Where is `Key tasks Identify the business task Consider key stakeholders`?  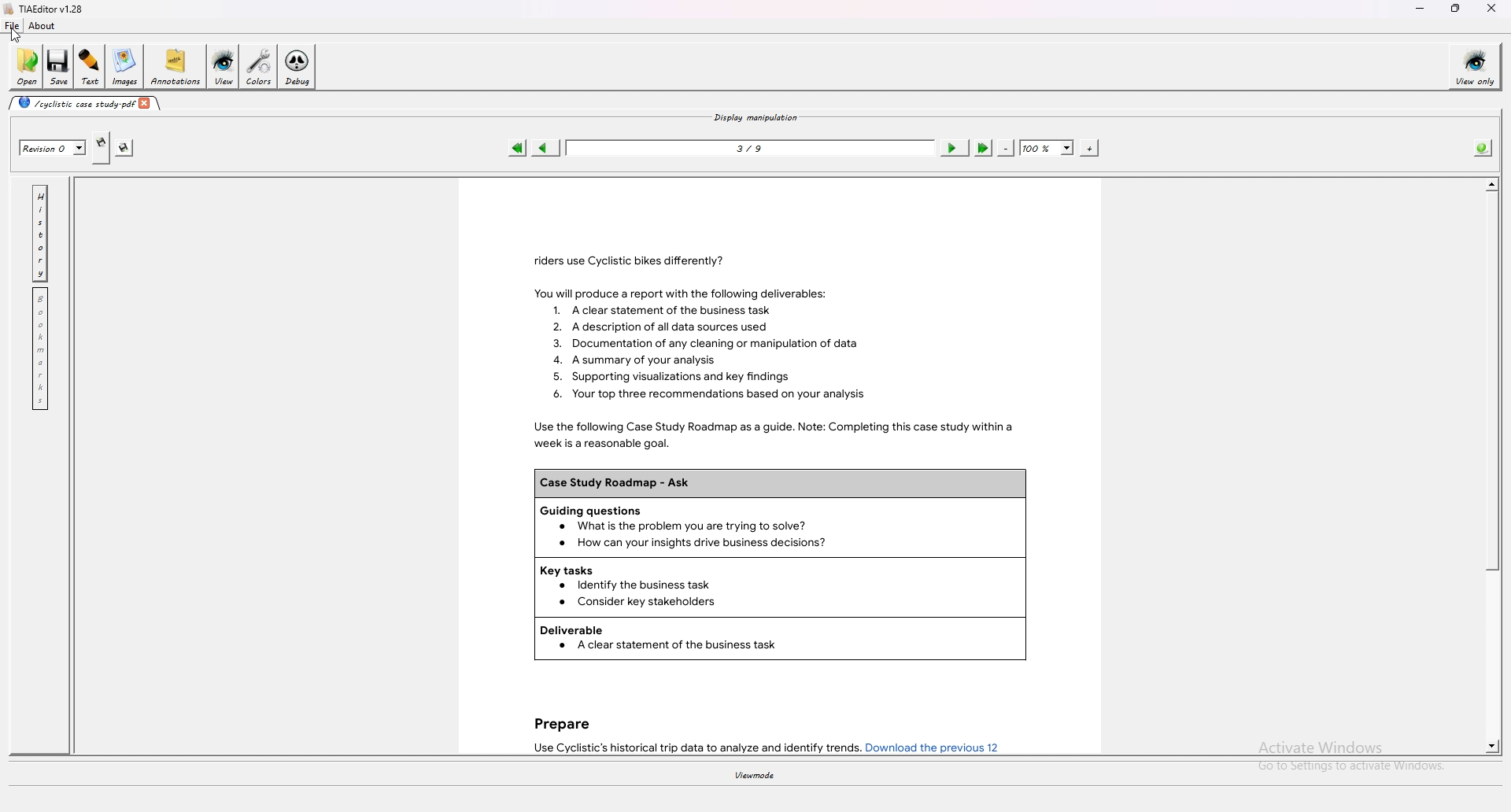 Key tasks Identify the business task Consider key stakeholders is located at coordinates (781, 588).